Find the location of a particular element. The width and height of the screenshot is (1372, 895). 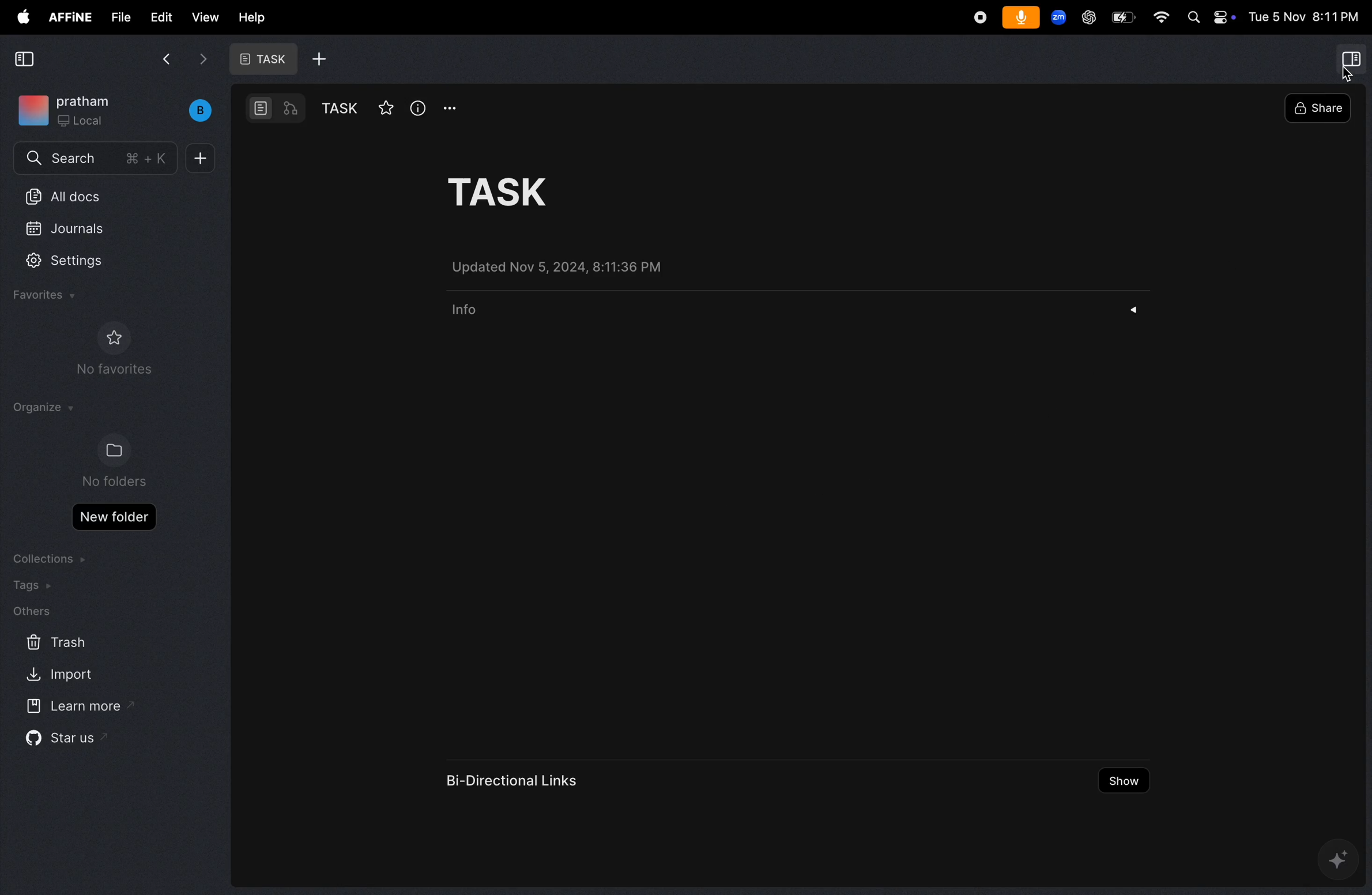

organize is located at coordinates (42, 408).